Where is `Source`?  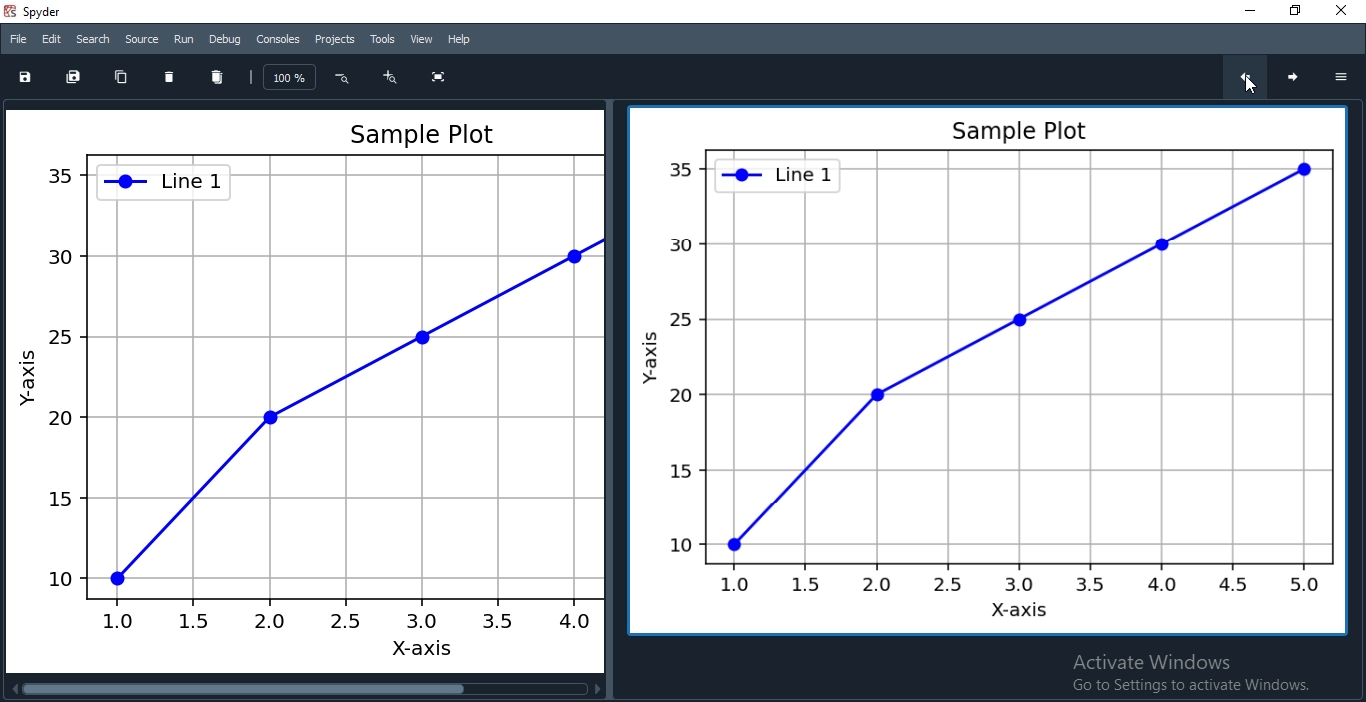
Source is located at coordinates (141, 37).